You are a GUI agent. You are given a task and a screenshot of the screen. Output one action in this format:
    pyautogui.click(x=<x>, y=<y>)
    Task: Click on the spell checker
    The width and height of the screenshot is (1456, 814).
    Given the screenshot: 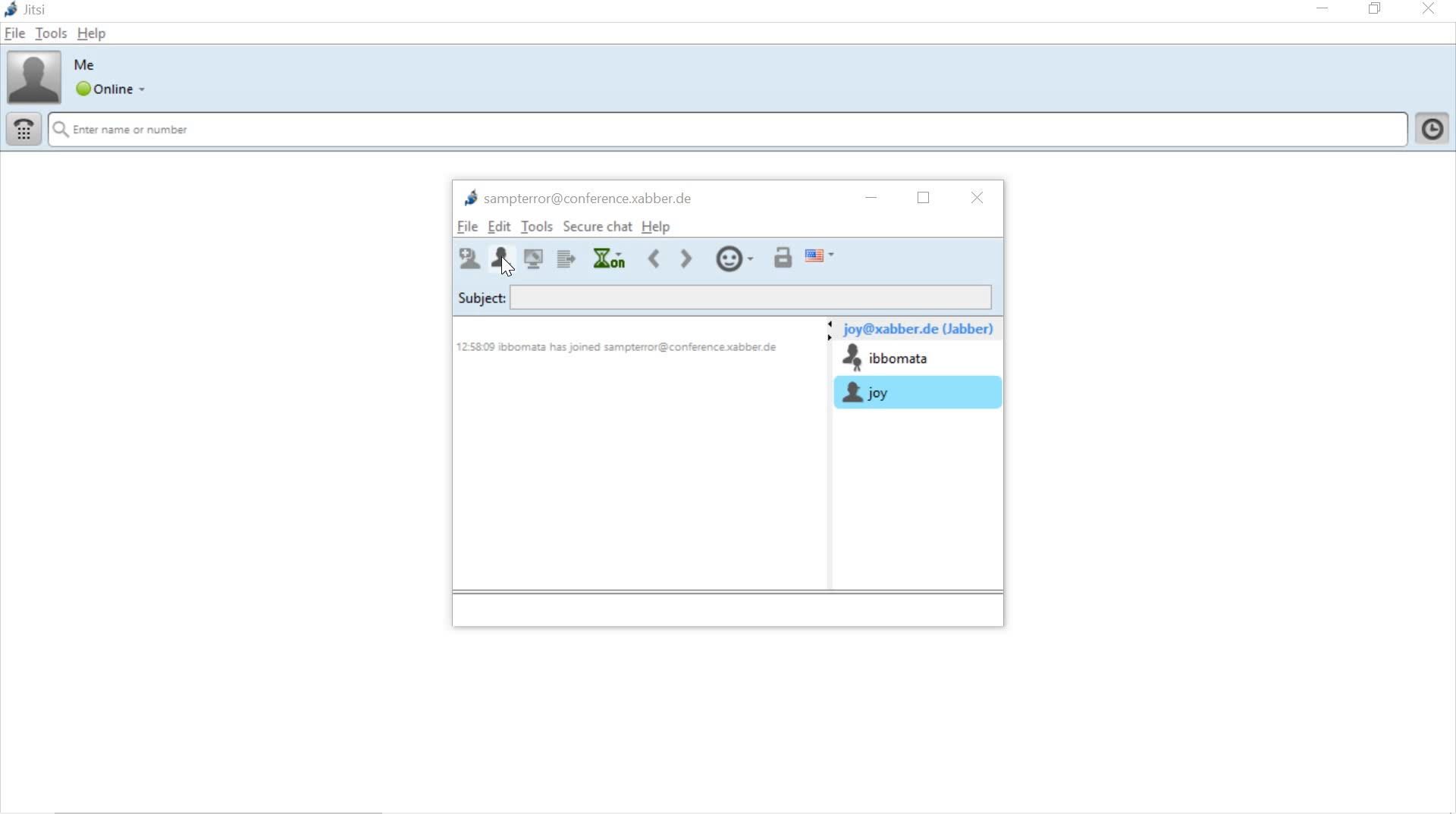 What is the action you would take?
    pyautogui.click(x=817, y=258)
    